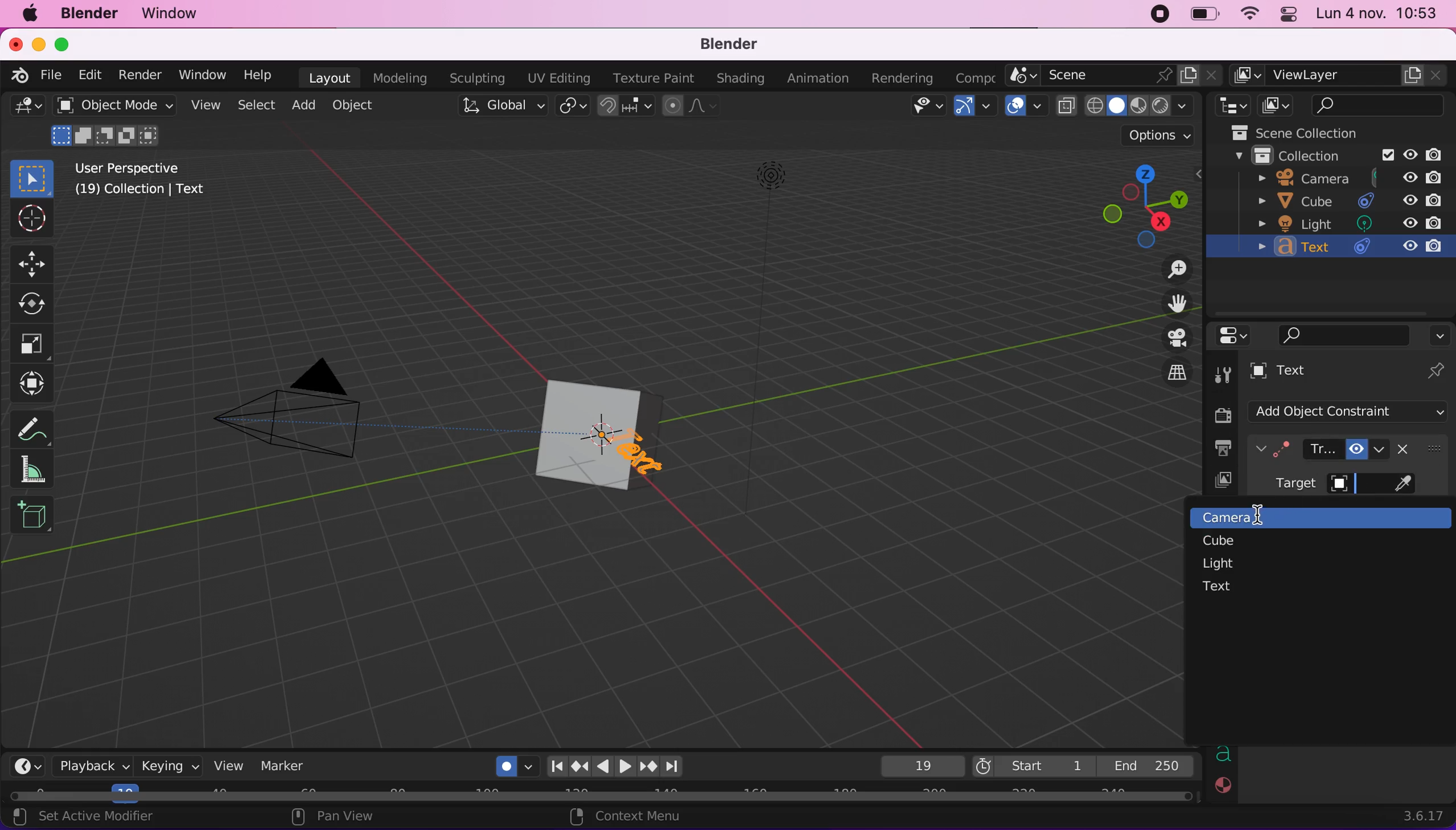  What do you see at coordinates (1340, 180) in the screenshot?
I see `camera` at bounding box center [1340, 180].